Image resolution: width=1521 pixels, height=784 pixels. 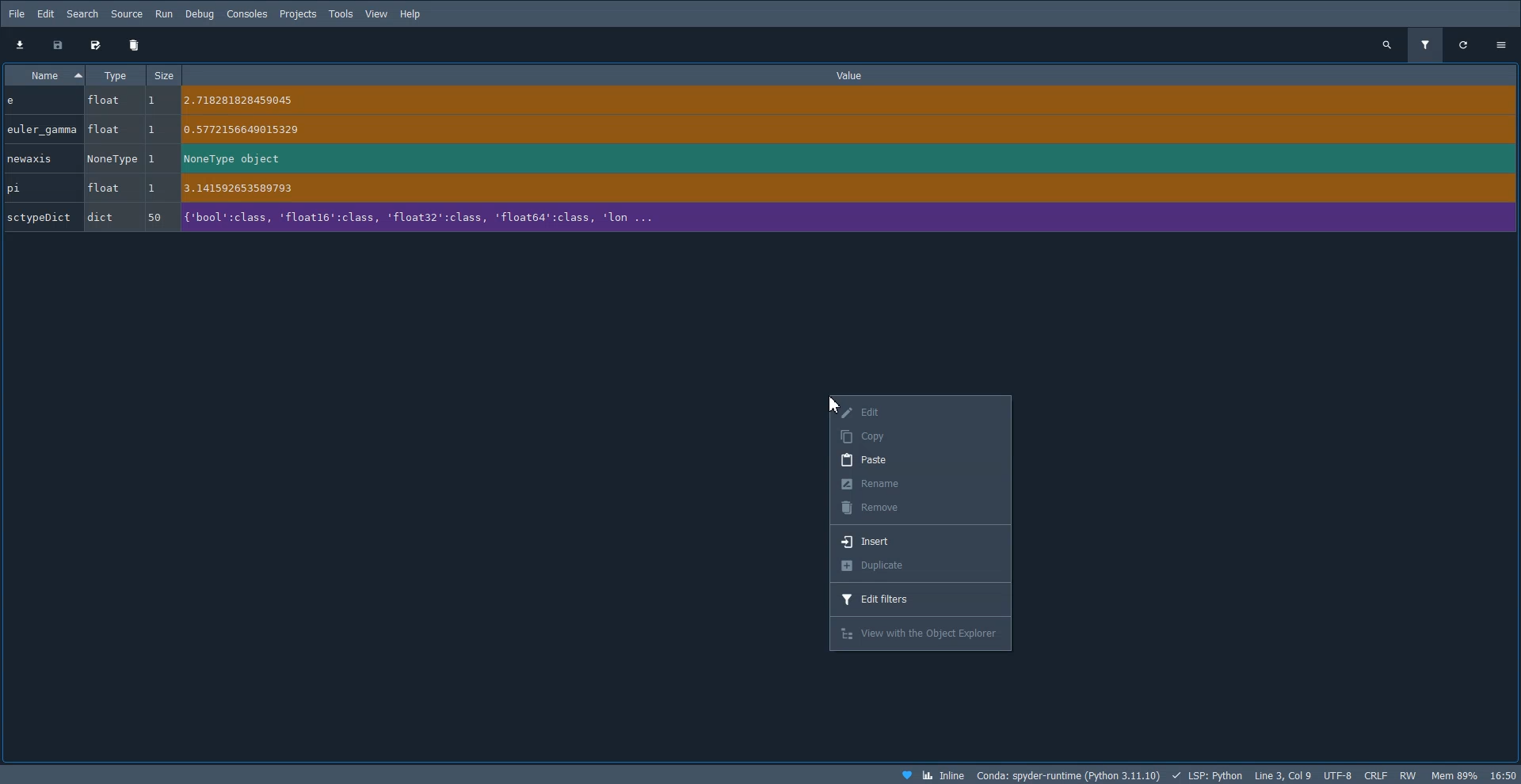 I want to click on Conda, so click(x=1069, y=774).